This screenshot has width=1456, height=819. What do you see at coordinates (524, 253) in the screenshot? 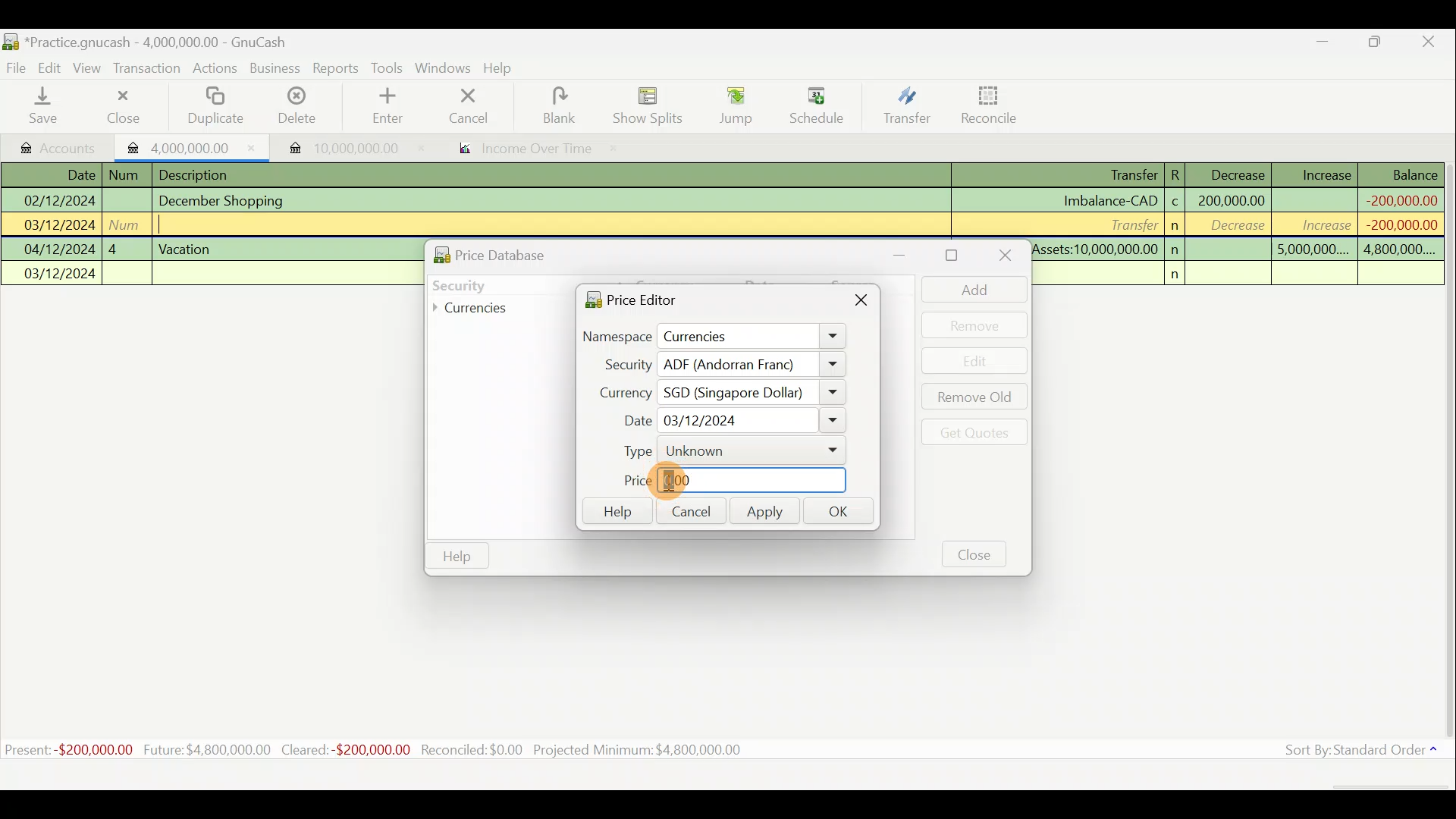
I see `Price database` at bounding box center [524, 253].